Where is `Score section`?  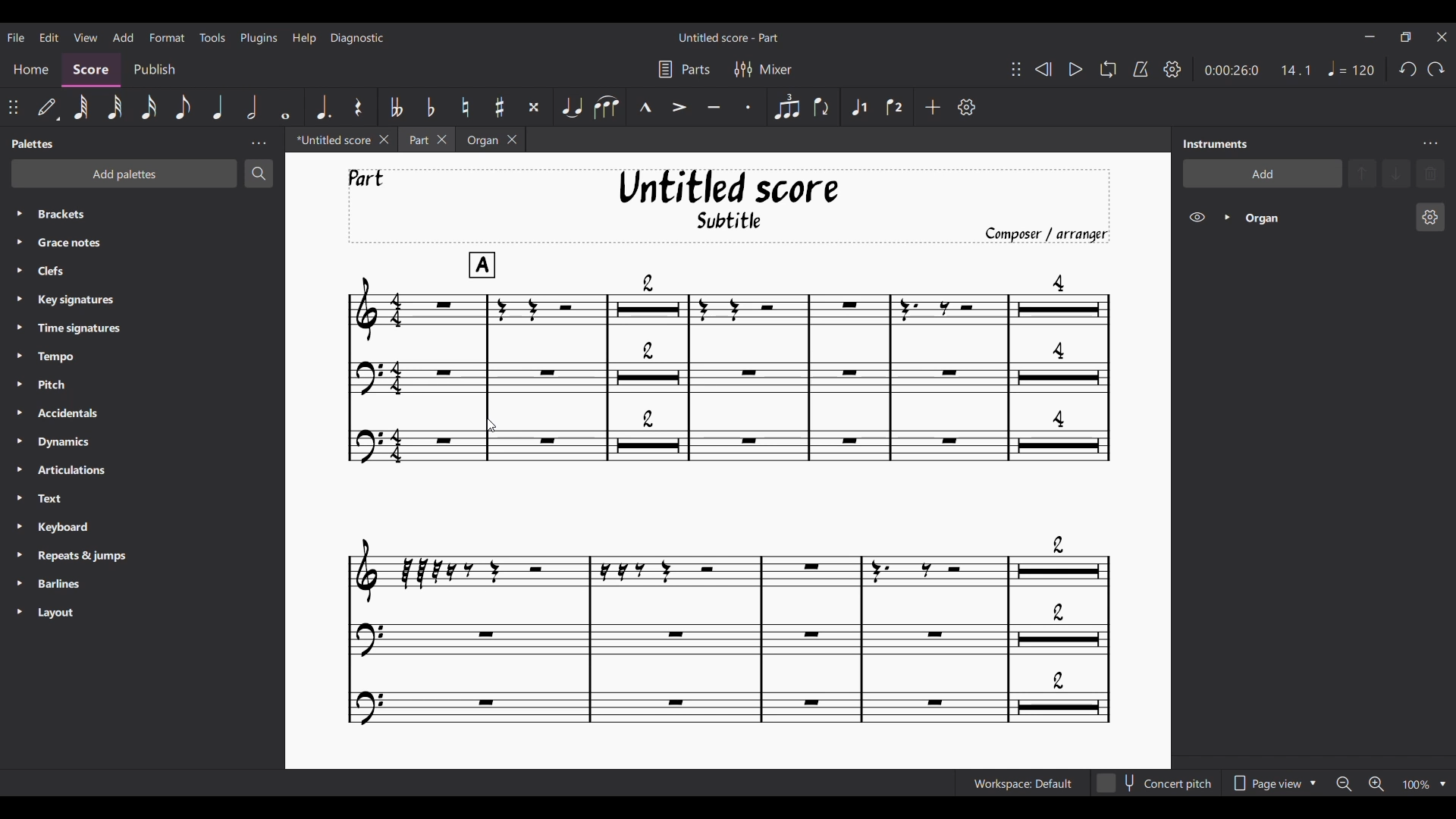 Score section is located at coordinates (90, 71).